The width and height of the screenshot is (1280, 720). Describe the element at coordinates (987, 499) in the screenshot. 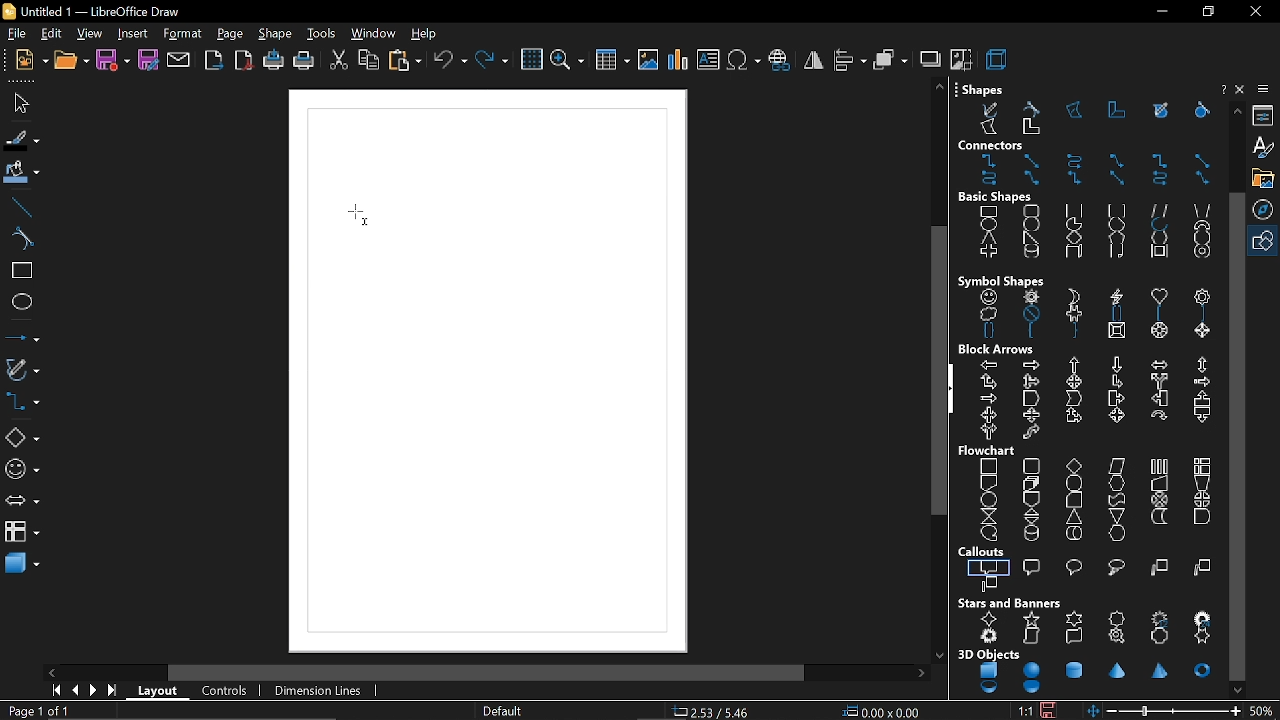

I see `connector` at that location.